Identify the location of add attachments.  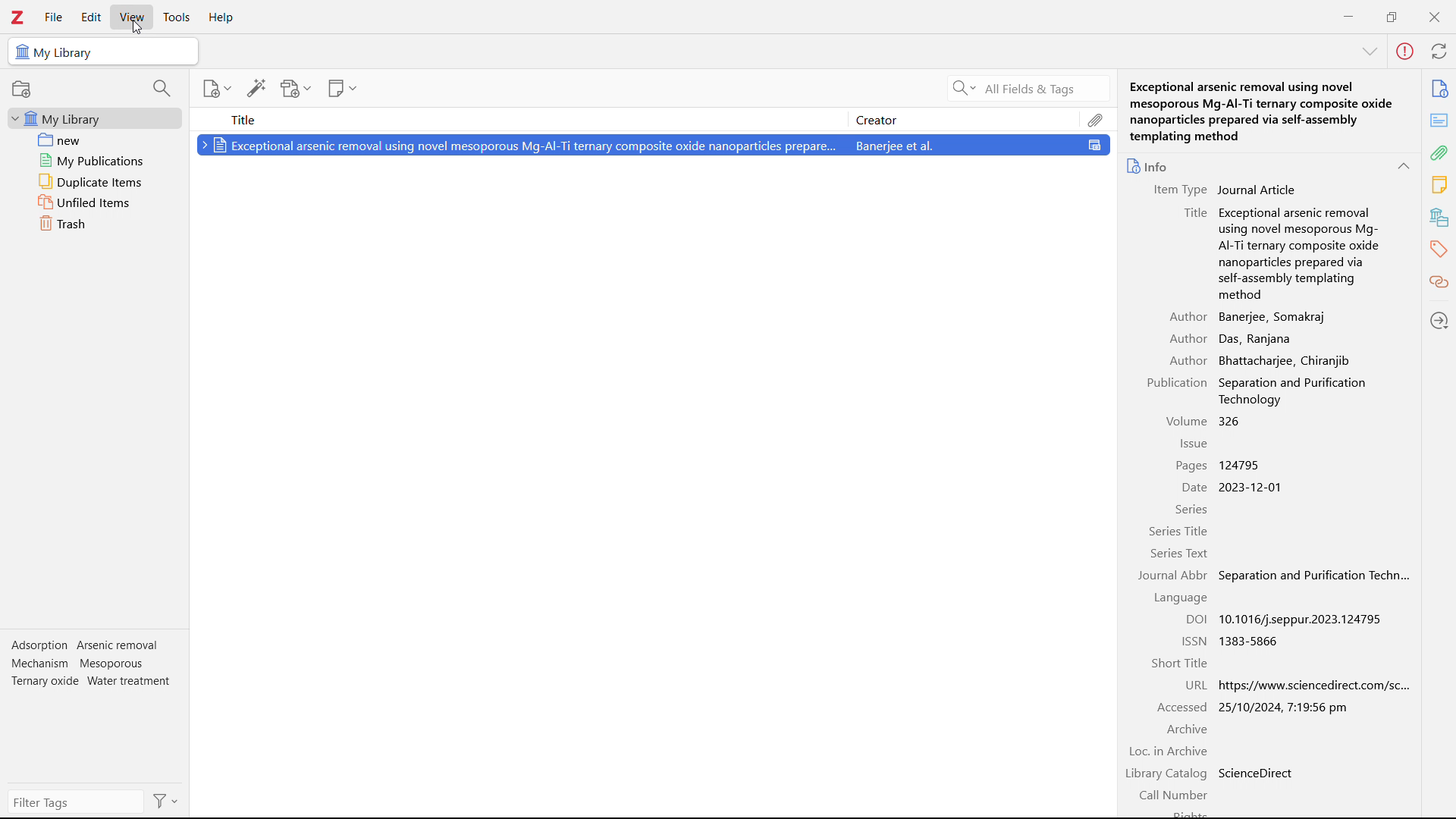
(297, 88).